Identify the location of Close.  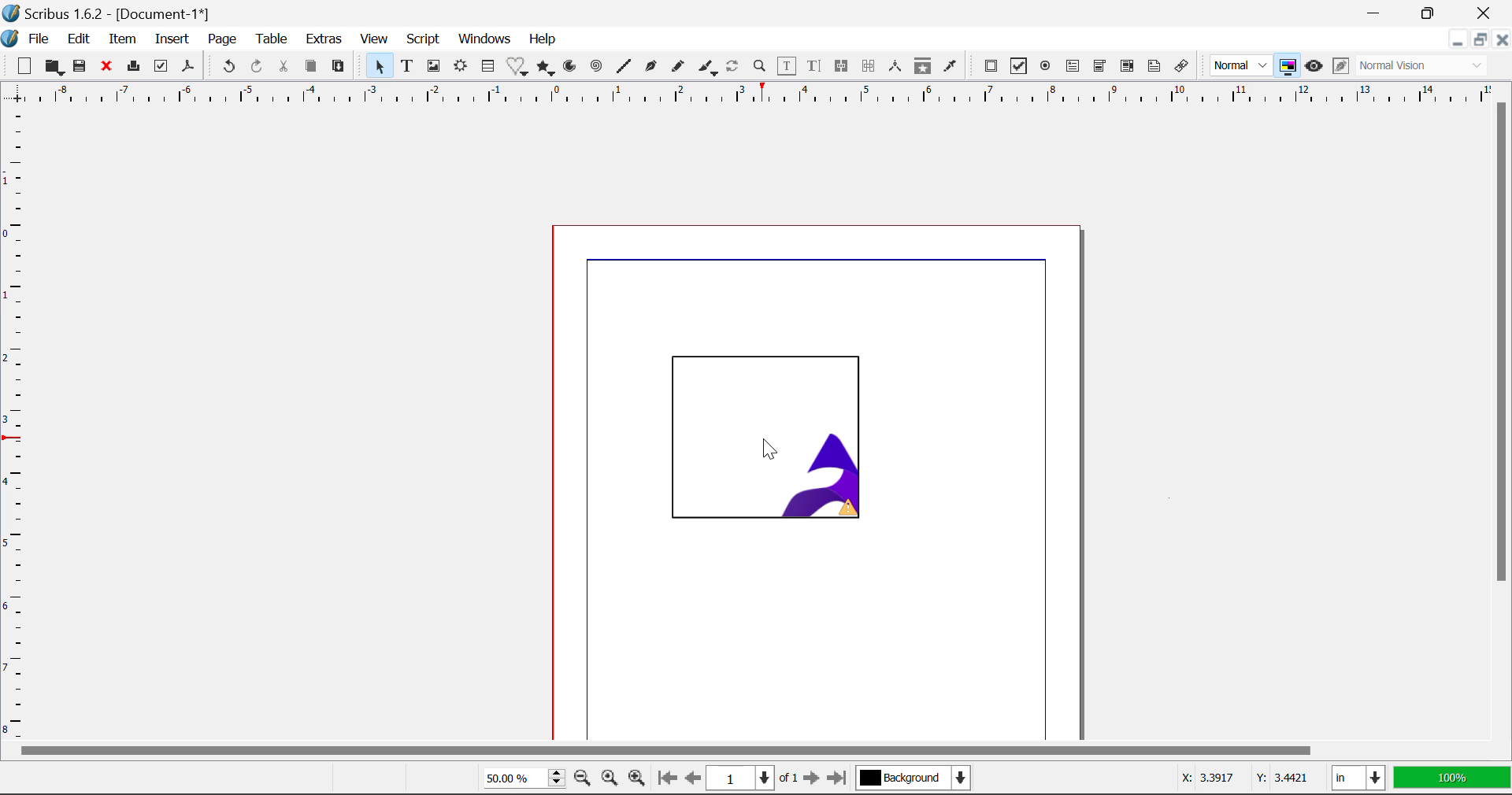
(1503, 39).